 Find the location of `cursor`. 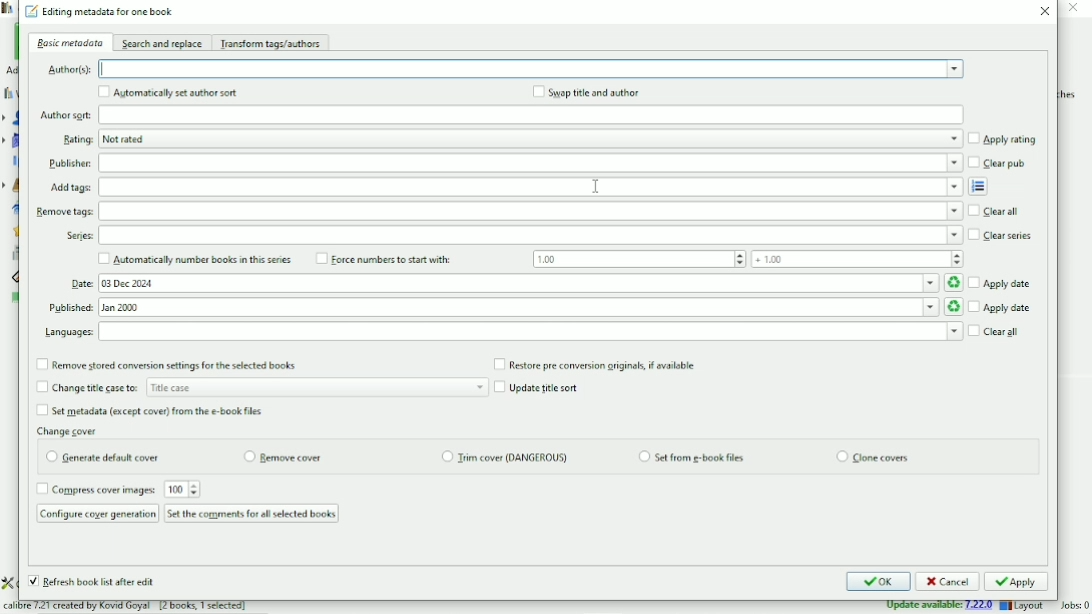

cursor is located at coordinates (599, 184).